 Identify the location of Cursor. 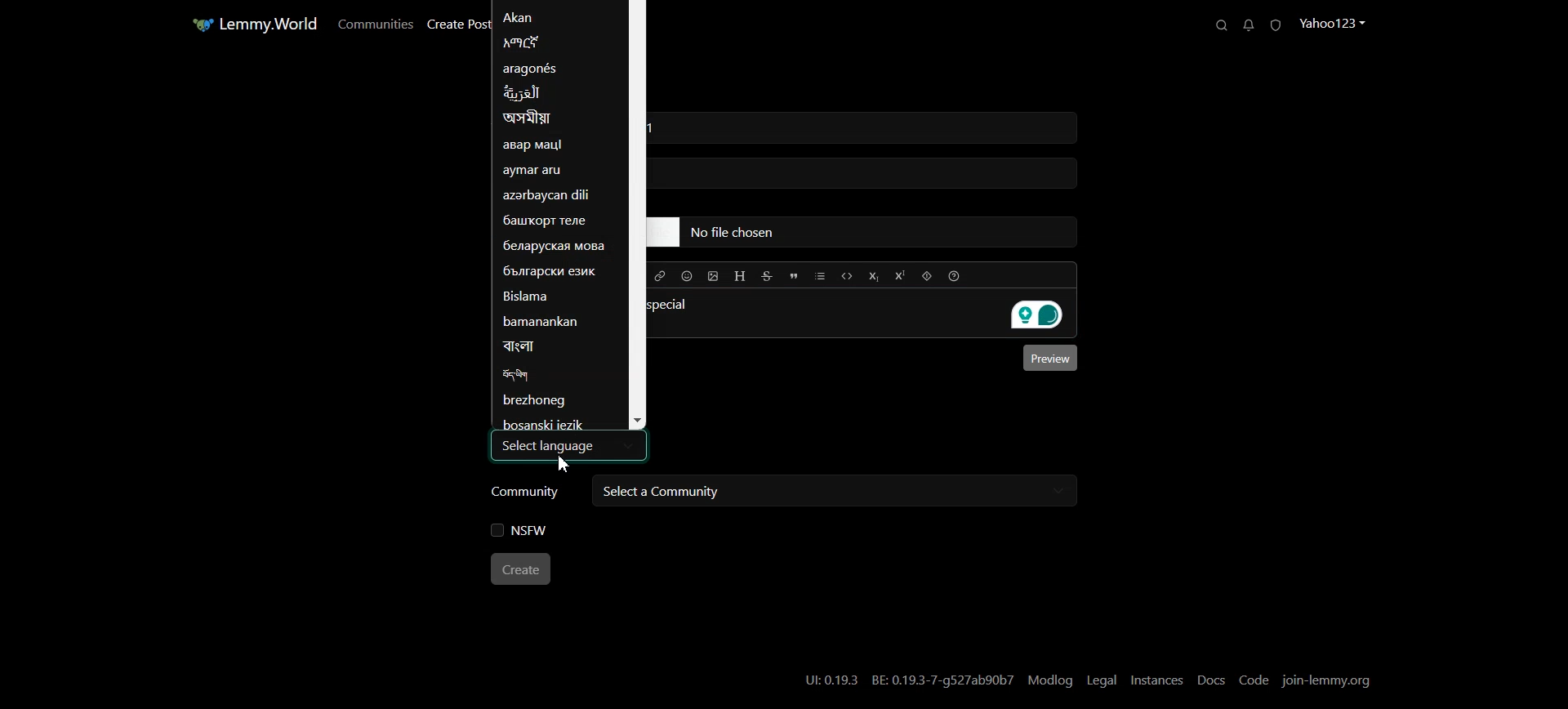
(563, 466).